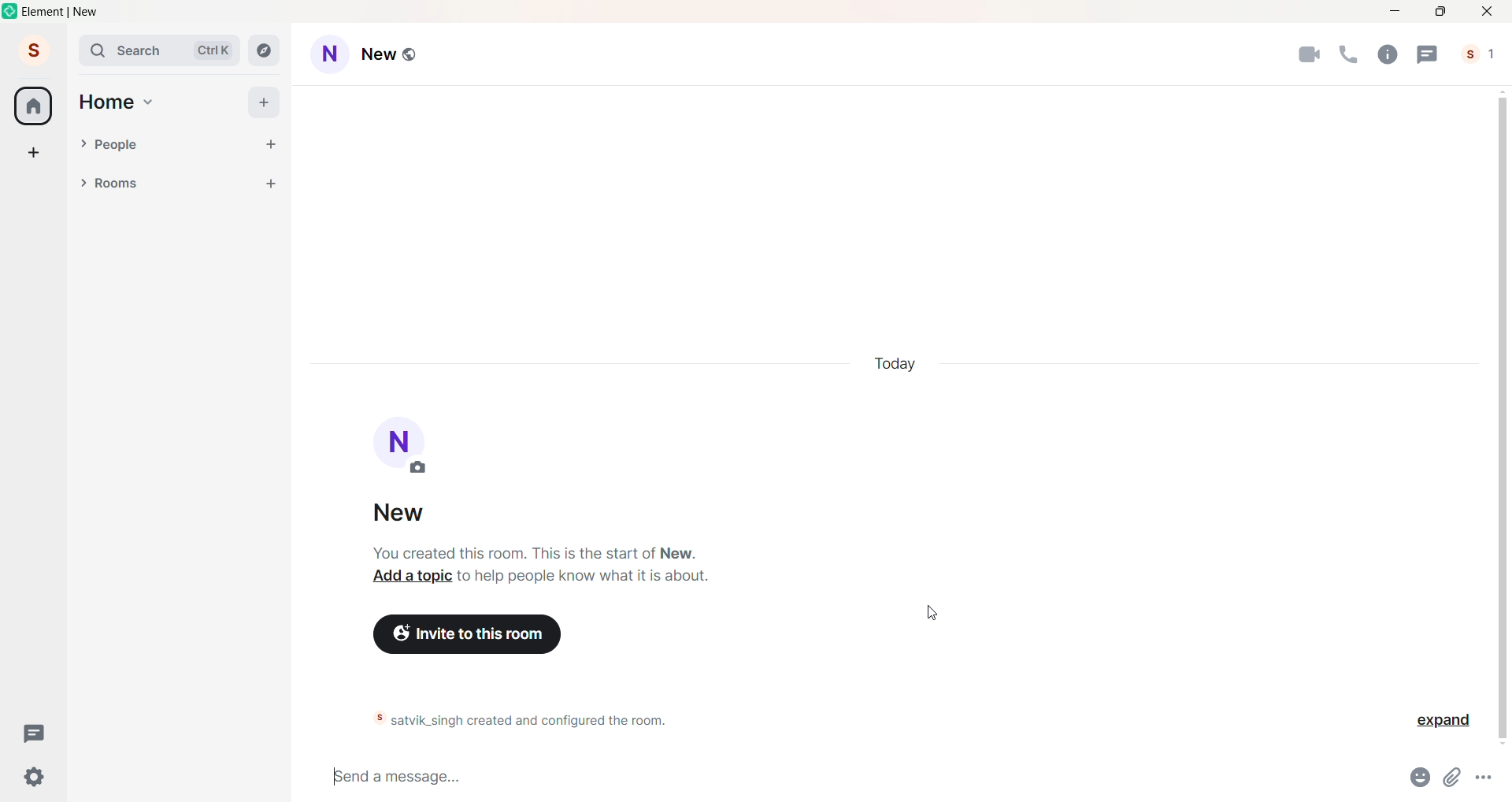  I want to click on Video Call, so click(1308, 51).